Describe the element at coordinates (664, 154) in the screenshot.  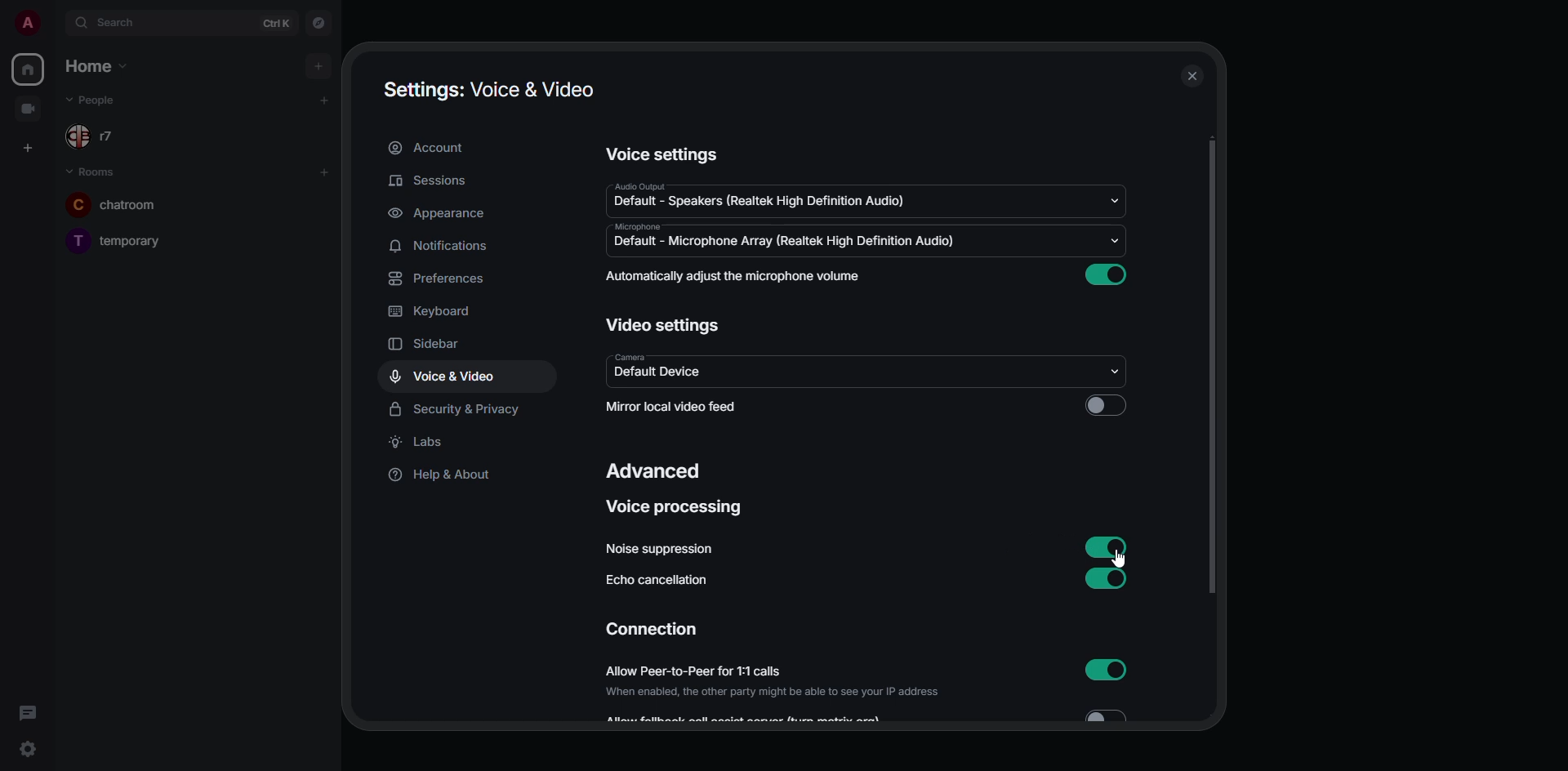
I see `voice settings` at that location.